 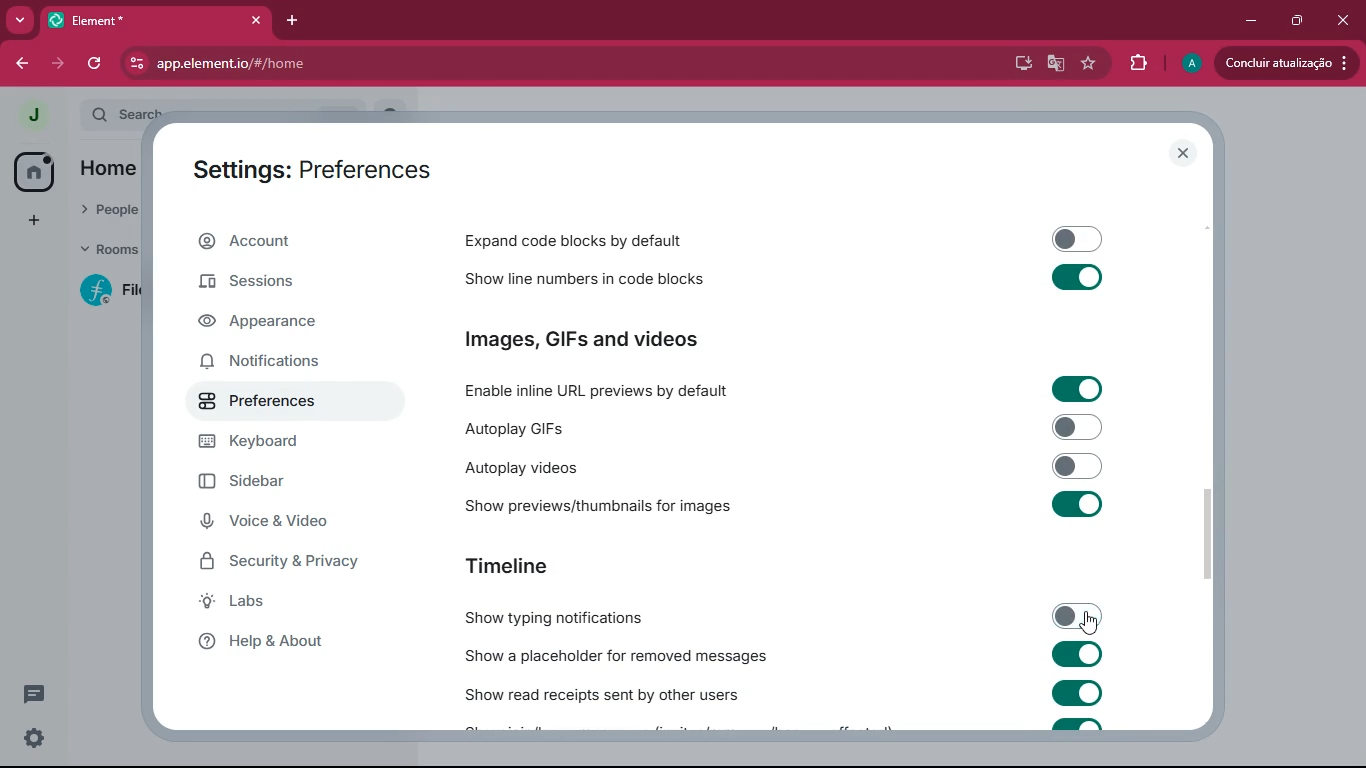 I want to click on minimize, so click(x=1250, y=22).